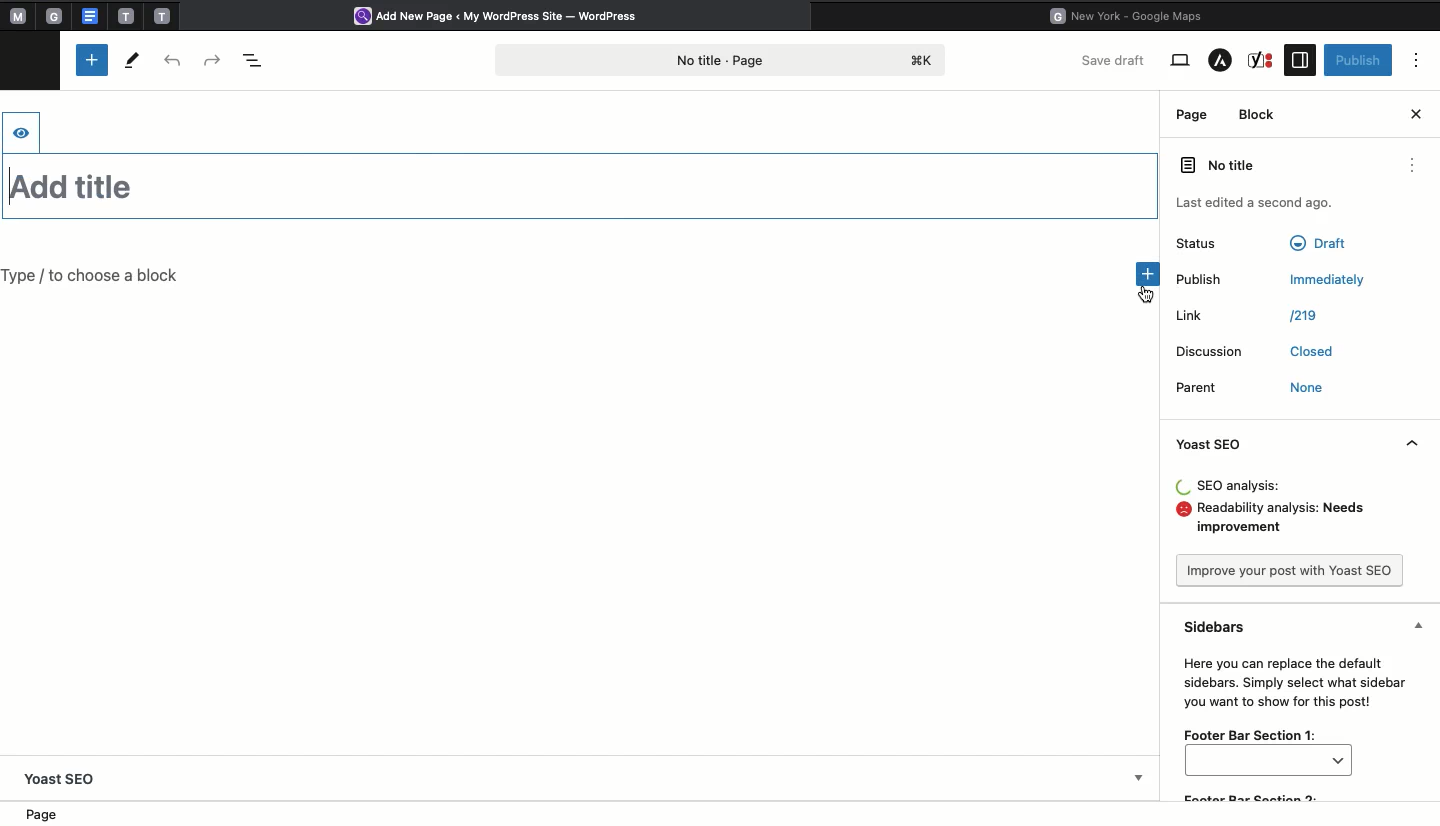 The width and height of the screenshot is (1440, 826). I want to click on tab, so click(164, 15).